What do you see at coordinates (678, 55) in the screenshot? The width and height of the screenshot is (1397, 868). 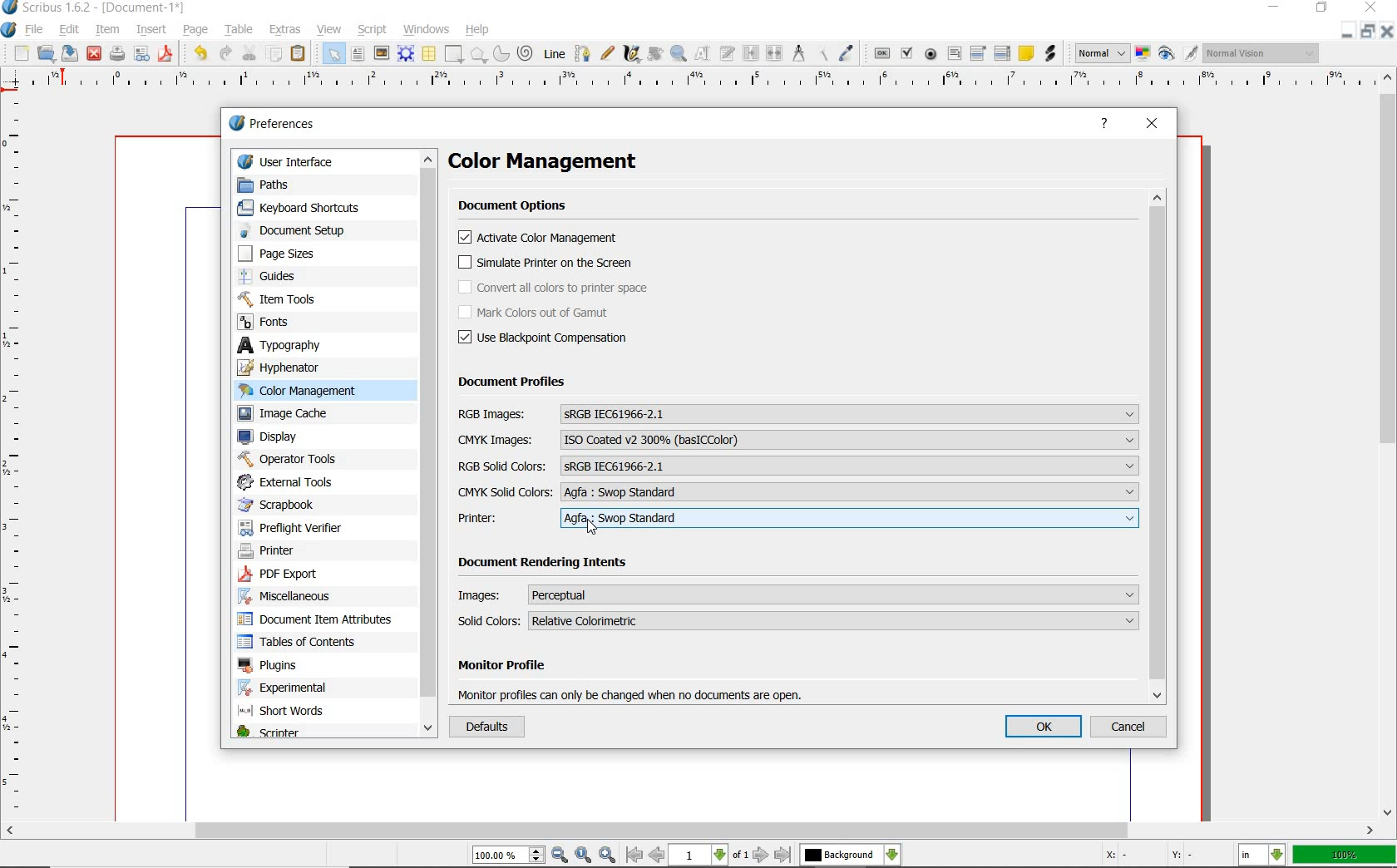 I see `zoom in or zoom out` at bounding box center [678, 55].